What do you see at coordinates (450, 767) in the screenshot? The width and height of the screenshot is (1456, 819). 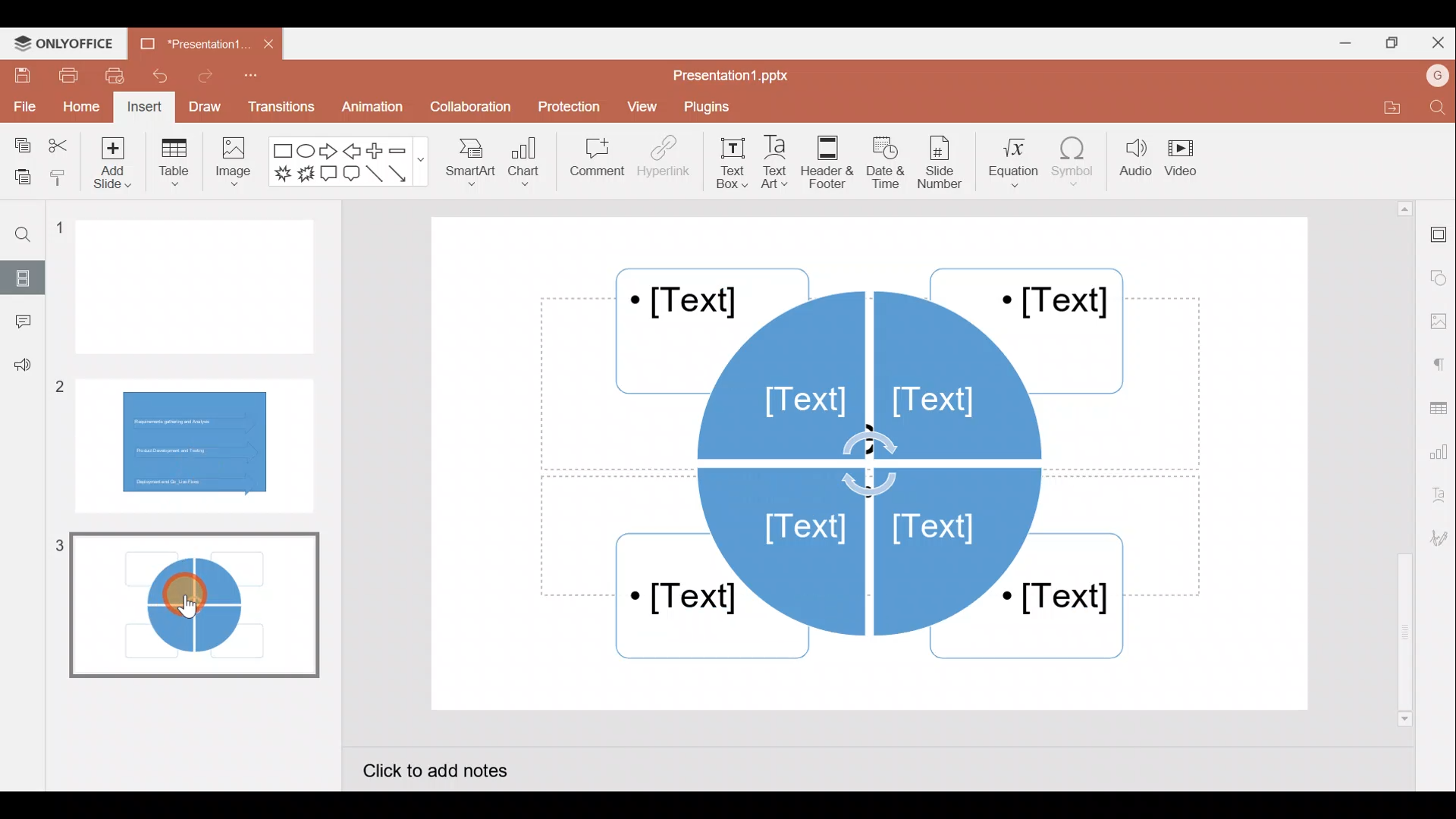 I see `Click to add notes` at bounding box center [450, 767].